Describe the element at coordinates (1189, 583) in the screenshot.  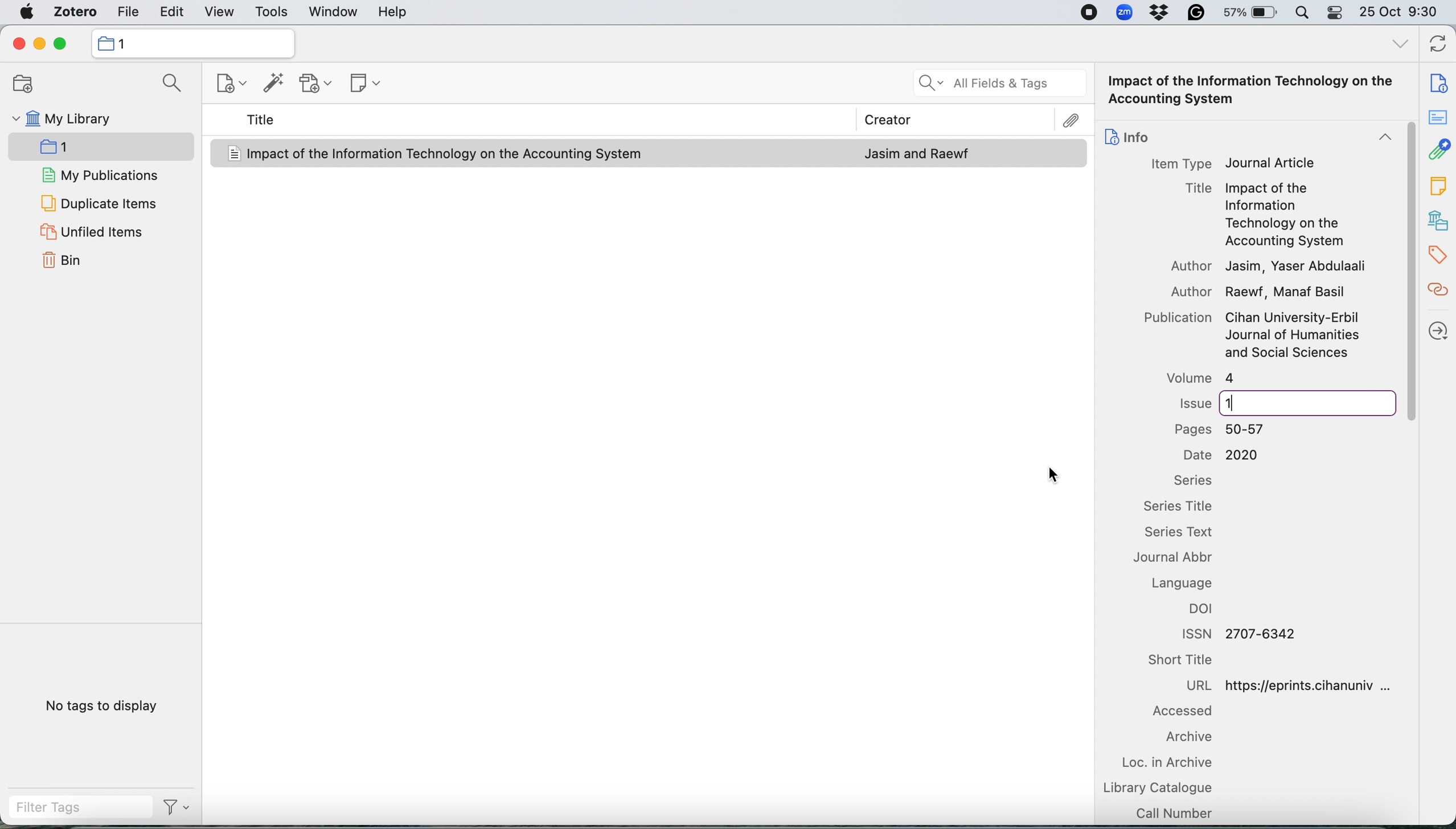
I see `language` at that location.